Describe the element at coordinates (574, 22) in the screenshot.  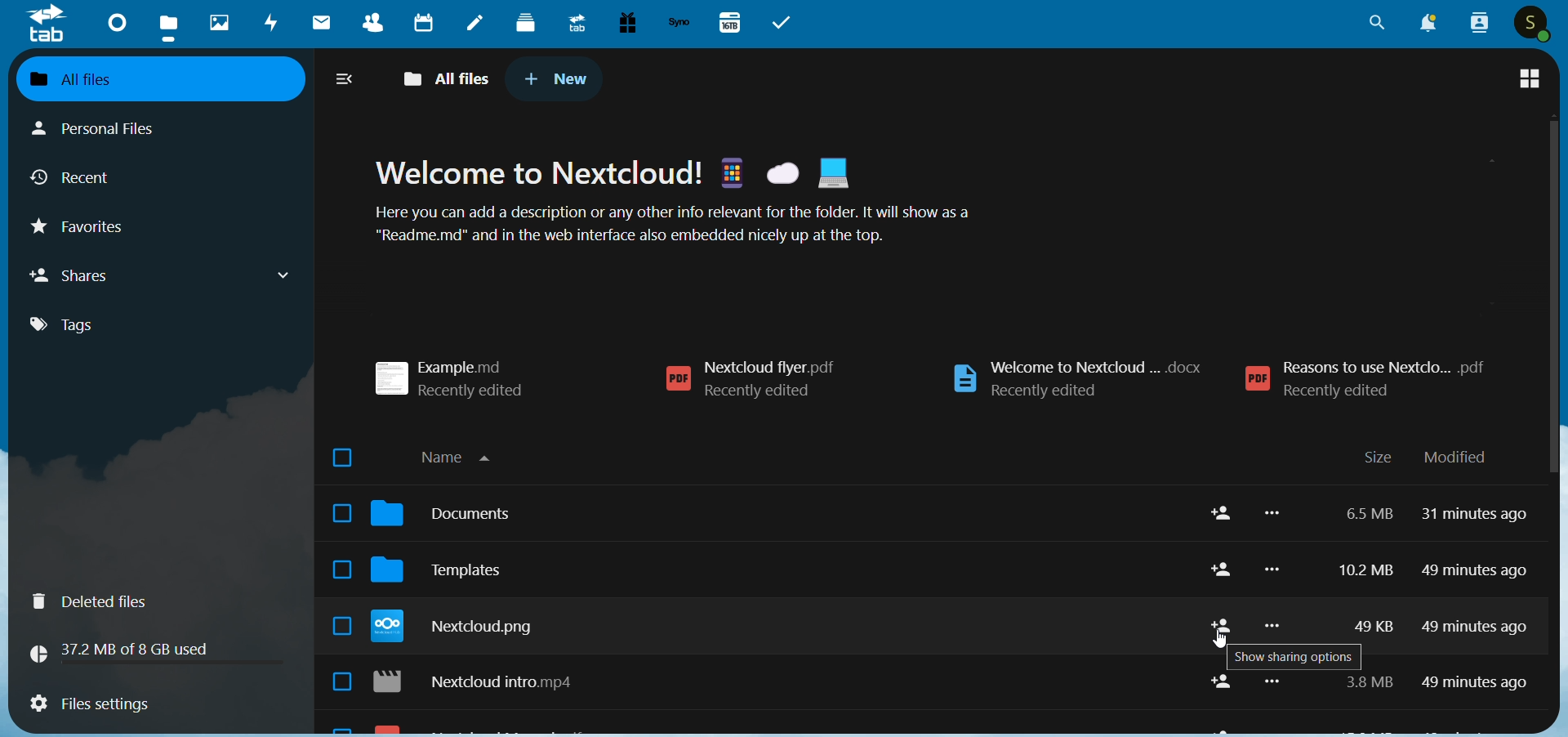
I see `upgrade` at that location.